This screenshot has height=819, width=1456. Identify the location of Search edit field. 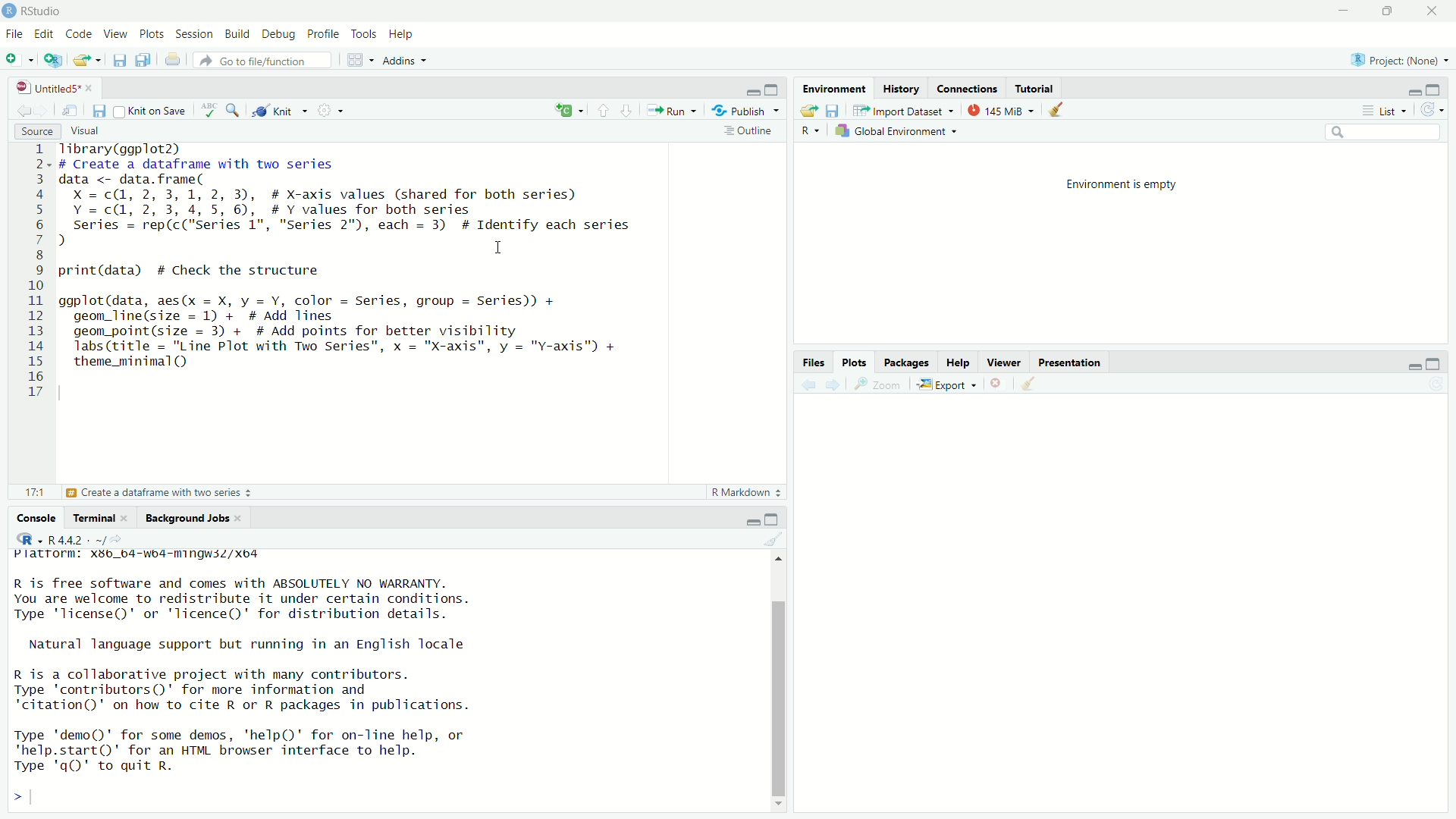
(1386, 133).